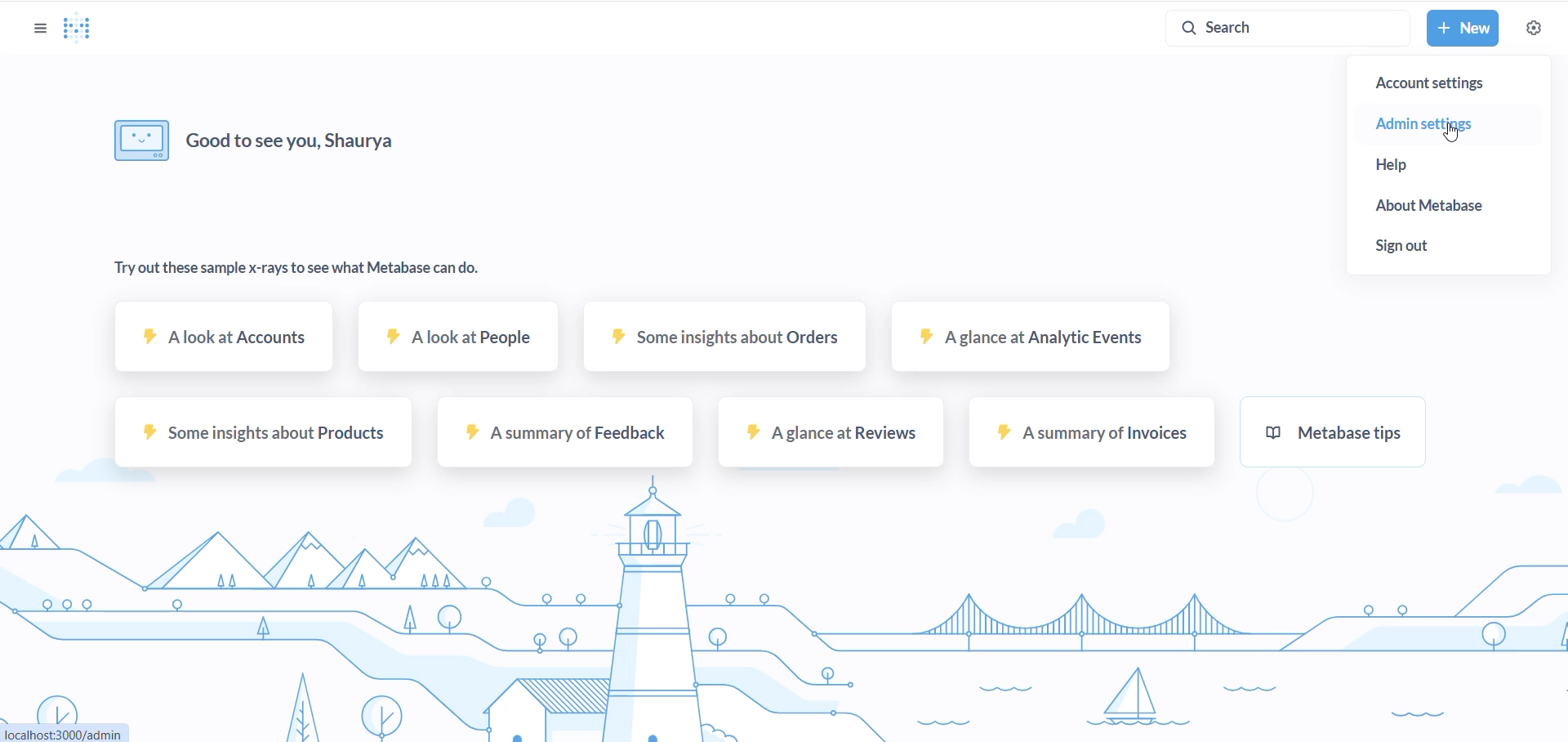 The width and height of the screenshot is (1568, 742). What do you see at coordinates (1533, 26) in the screenshot?
I see `settings` at bounding box center [1533, 26].